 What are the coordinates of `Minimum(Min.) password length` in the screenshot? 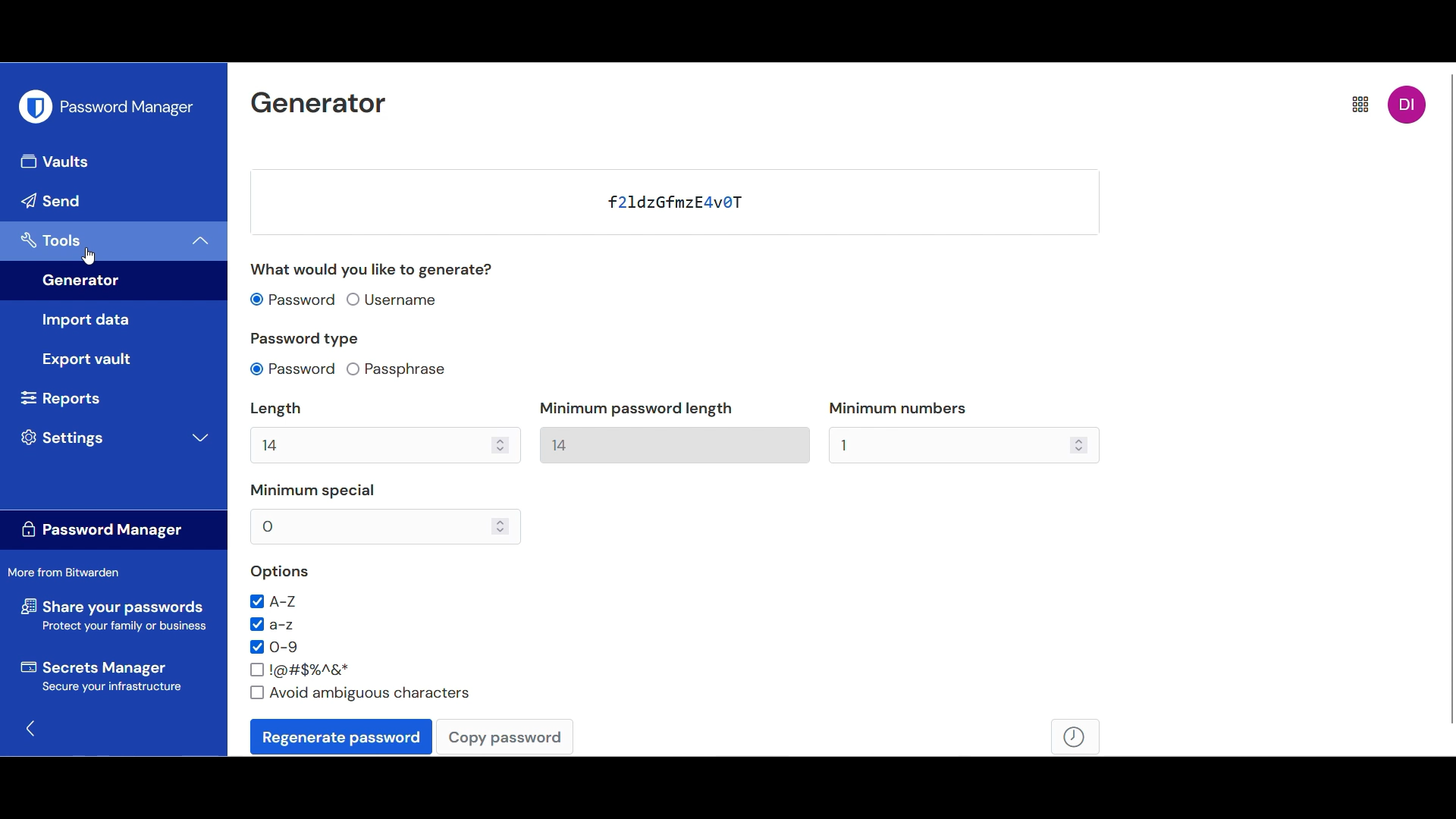 It's located at (636, 409).